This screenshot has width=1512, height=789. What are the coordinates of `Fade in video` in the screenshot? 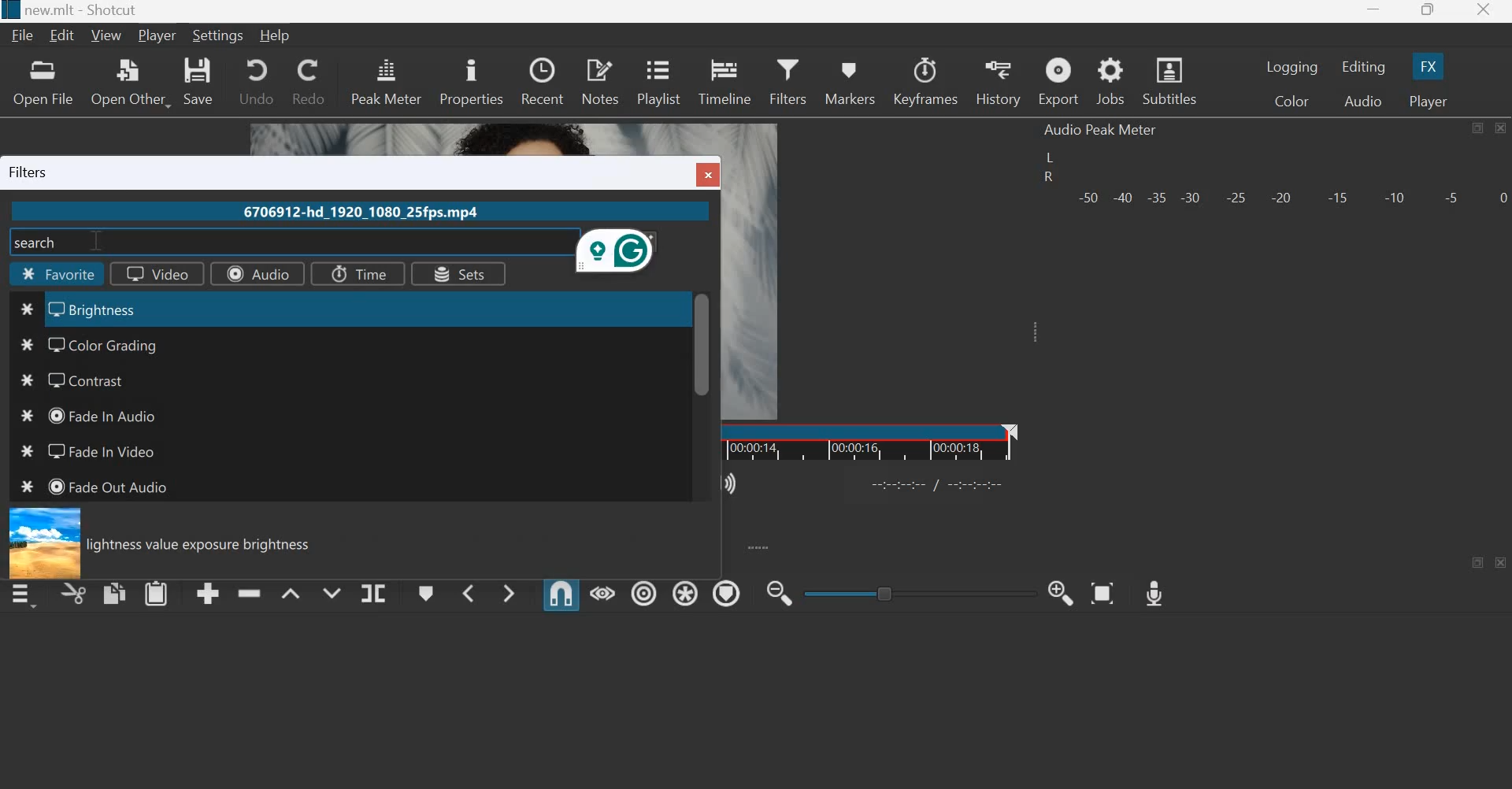 It's located at (98, 450).